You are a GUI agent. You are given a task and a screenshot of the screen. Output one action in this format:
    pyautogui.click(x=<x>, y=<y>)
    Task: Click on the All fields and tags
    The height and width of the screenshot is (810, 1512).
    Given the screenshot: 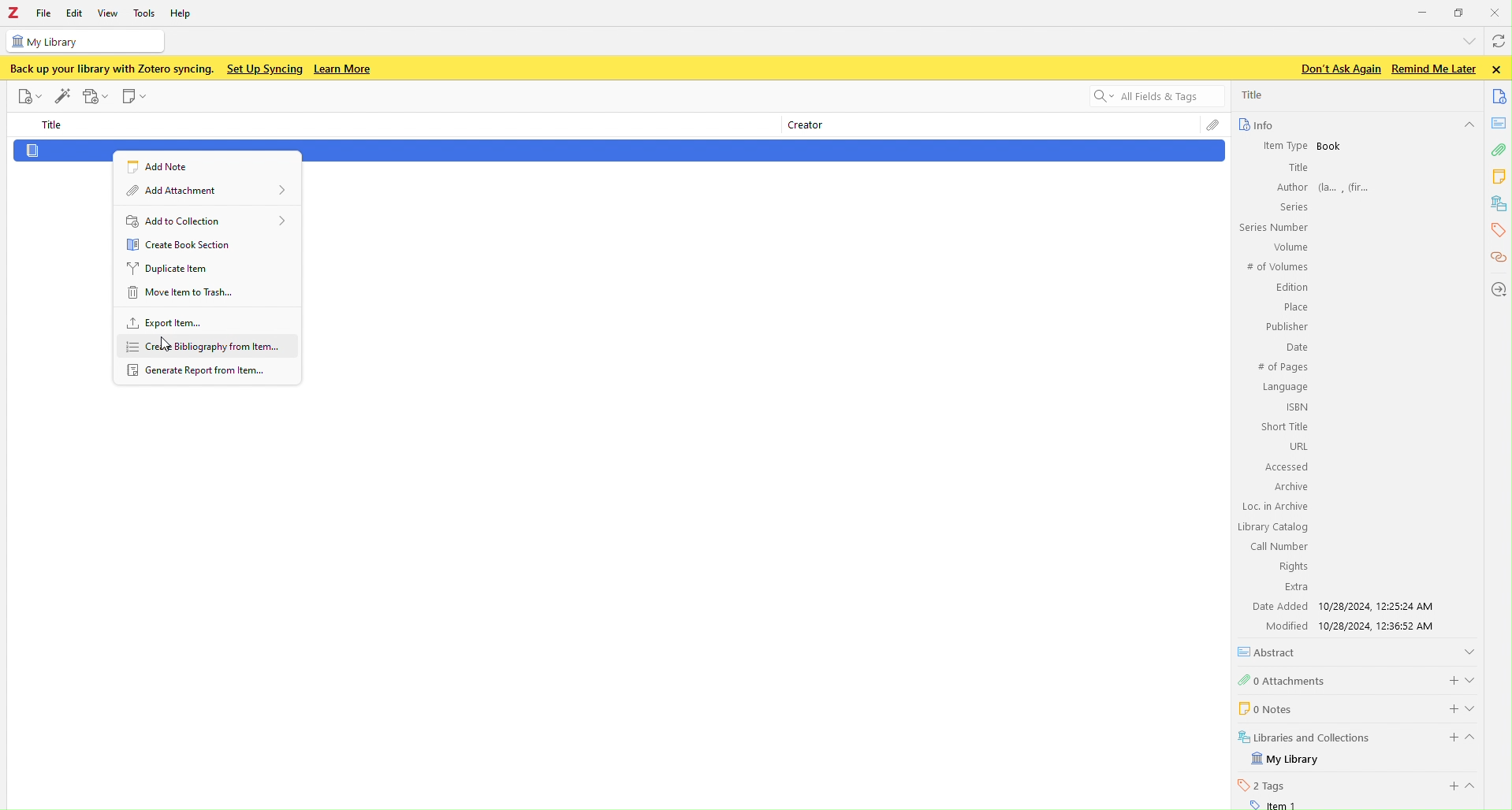 What is the action you would take?
    pyautogui.click(x=1147, y=98)
    